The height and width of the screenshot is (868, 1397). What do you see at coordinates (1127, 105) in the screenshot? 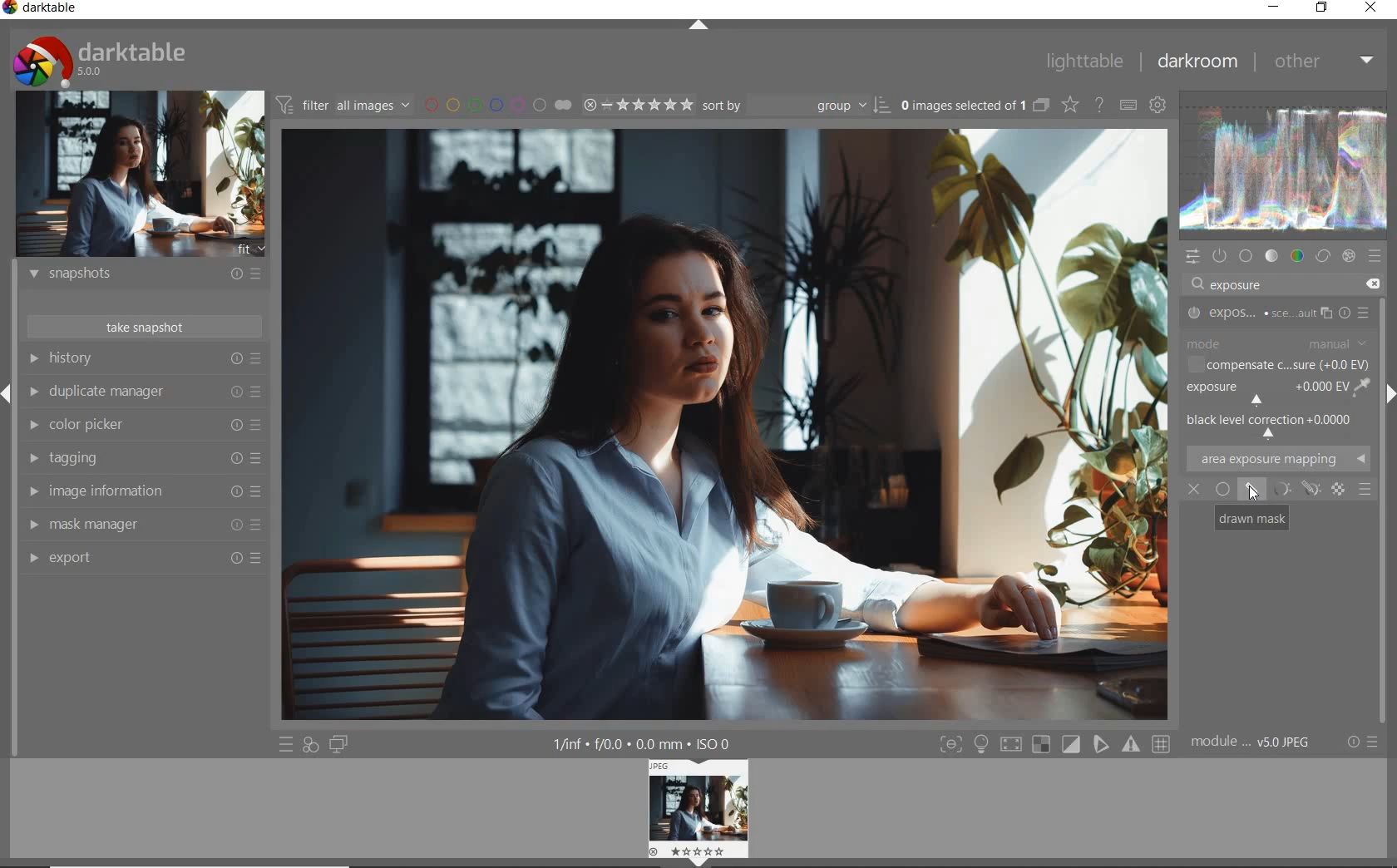
I see `set keyboard shortcuts` at bounding box center [1127, 105].